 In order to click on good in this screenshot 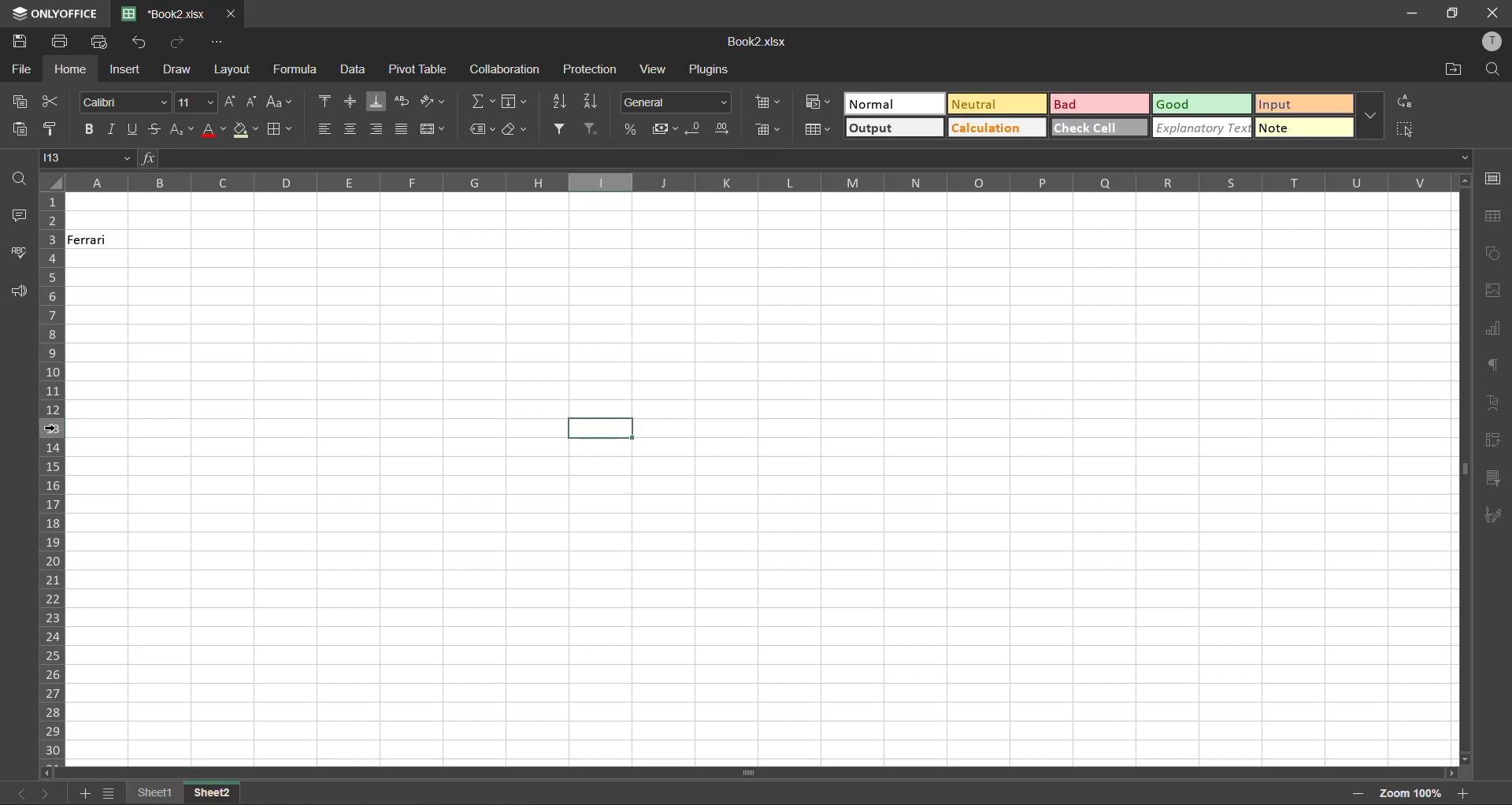, I will do `click(1200, 105)`.